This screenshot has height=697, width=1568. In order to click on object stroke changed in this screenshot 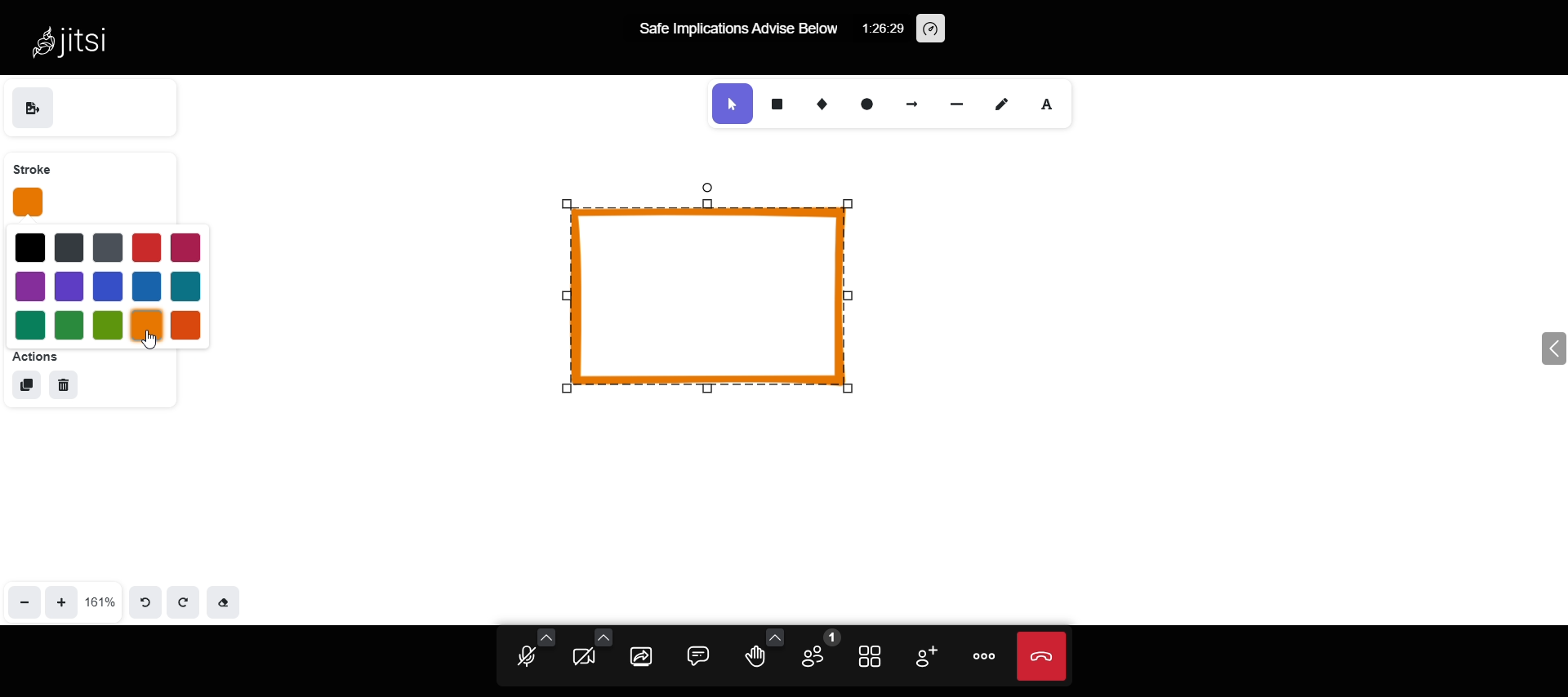, I will do `click(725, 289)`.